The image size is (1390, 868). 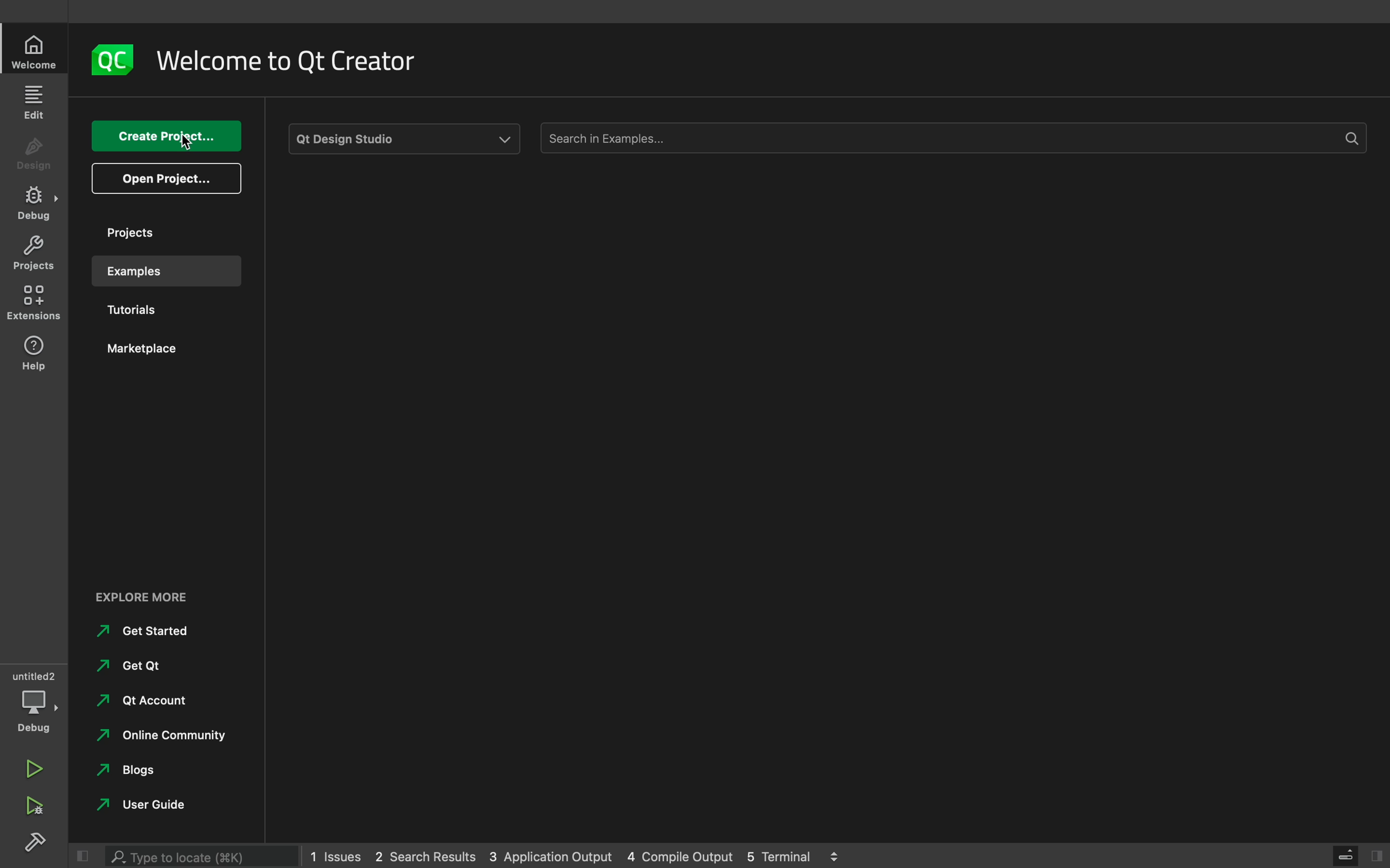 I want to click on extensions, so click(x=36, y=303).